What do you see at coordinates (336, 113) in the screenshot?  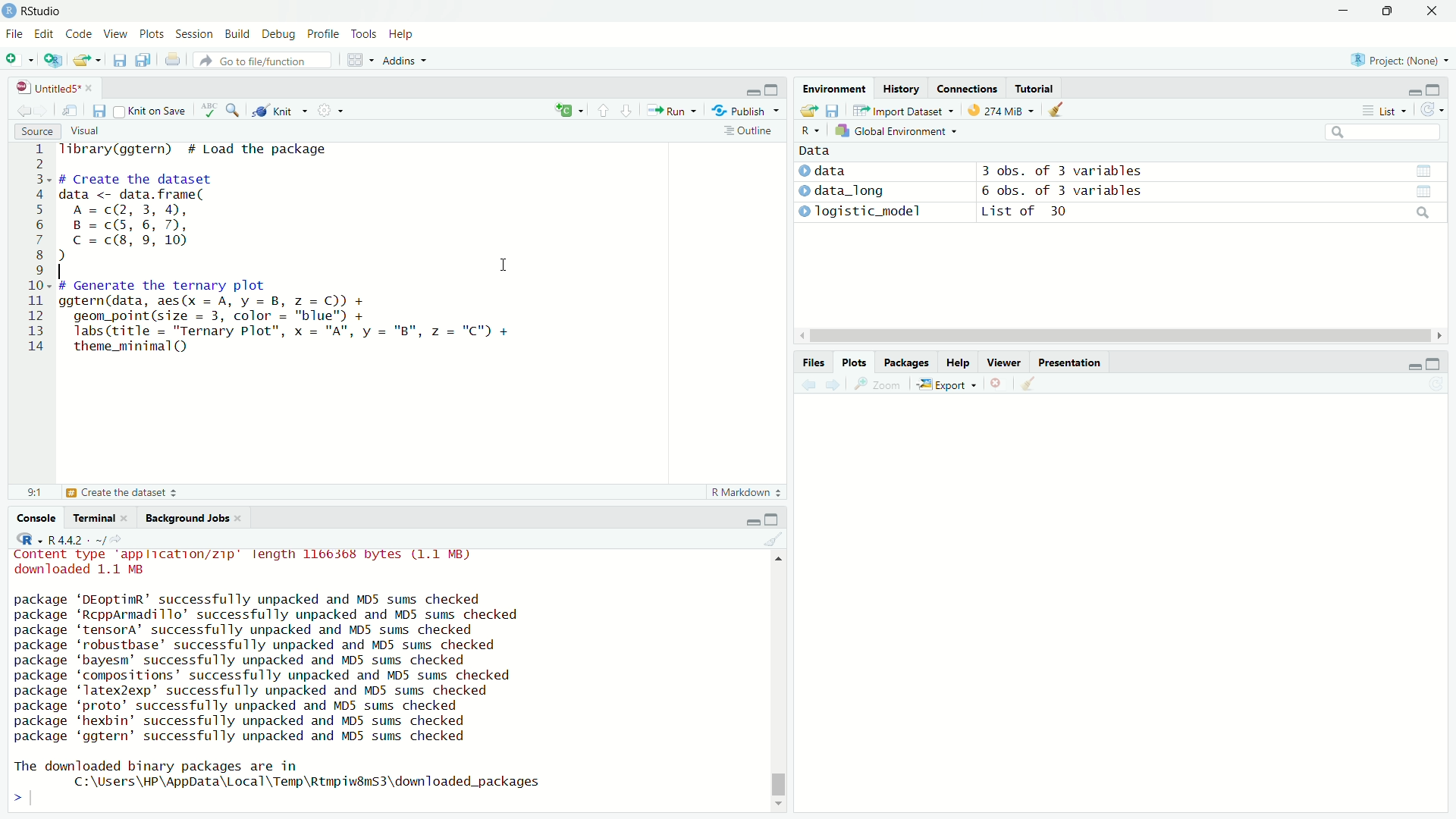 I see `settings` at bounding box center [336, 113].